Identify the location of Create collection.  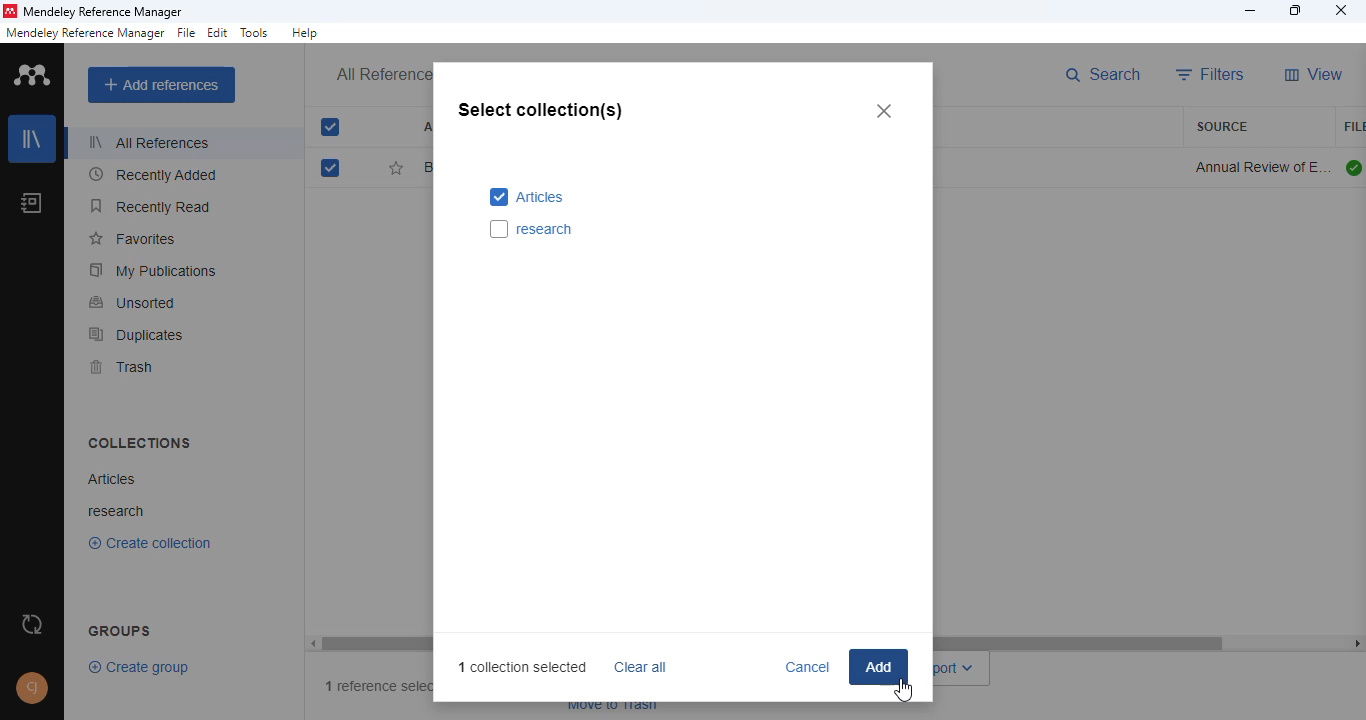
(149, 546).